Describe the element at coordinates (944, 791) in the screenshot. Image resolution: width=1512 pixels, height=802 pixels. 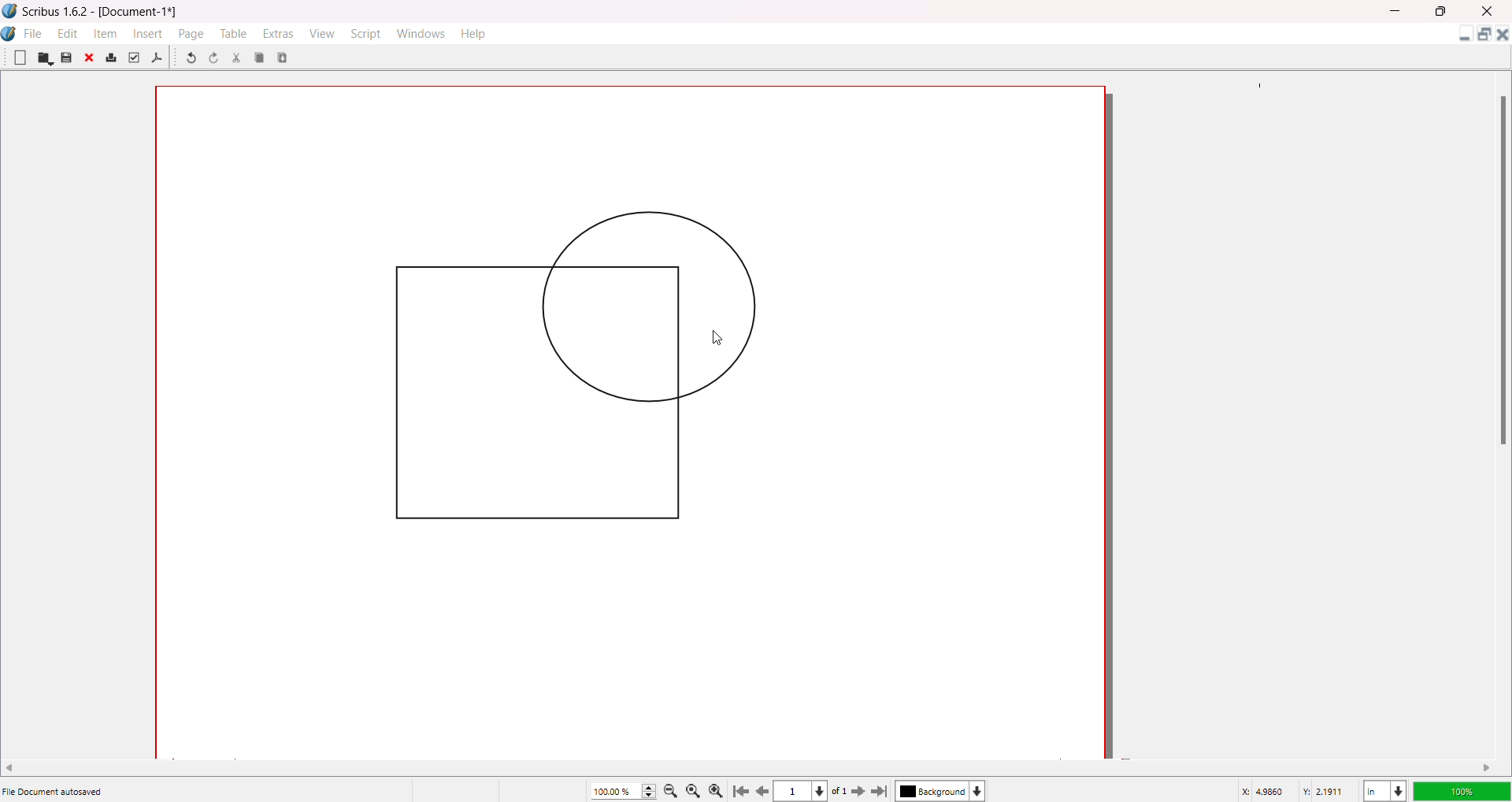
I see `Background color` at that location.